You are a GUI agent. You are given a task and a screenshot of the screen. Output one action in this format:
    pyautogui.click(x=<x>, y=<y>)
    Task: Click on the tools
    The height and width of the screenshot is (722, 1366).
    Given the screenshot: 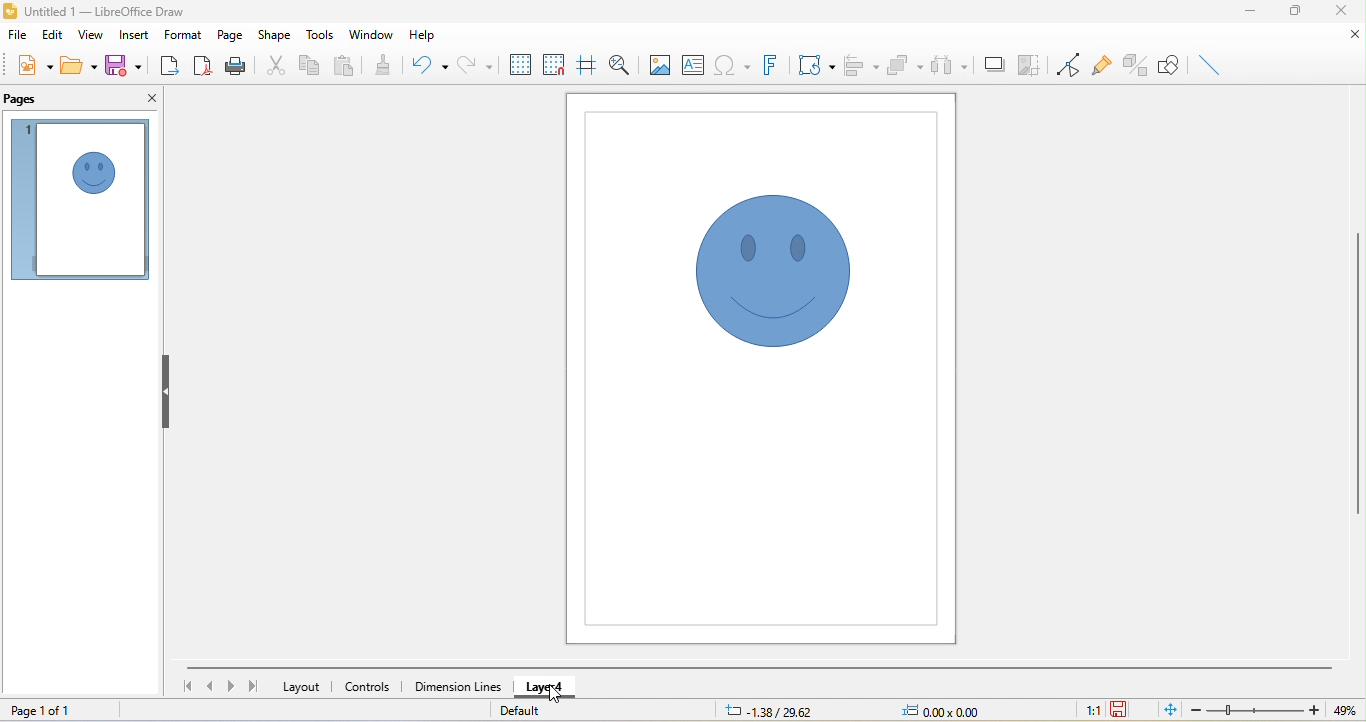 What is the action you would take?
    pyautogui.click(x=322, y=35)
    